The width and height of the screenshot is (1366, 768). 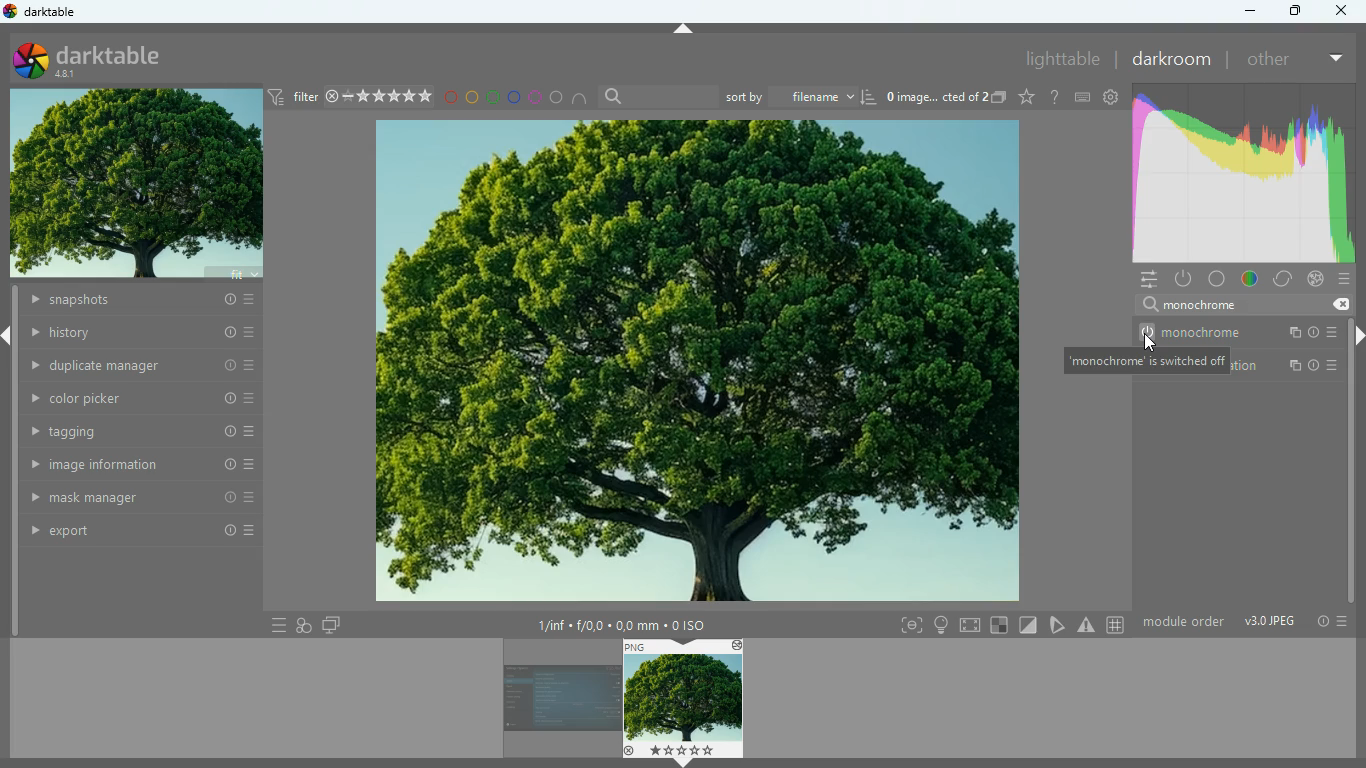 What do you see at coordinates (1144, 280) in the screenshot?
I see `menu` at bounding box center [1144, 280].